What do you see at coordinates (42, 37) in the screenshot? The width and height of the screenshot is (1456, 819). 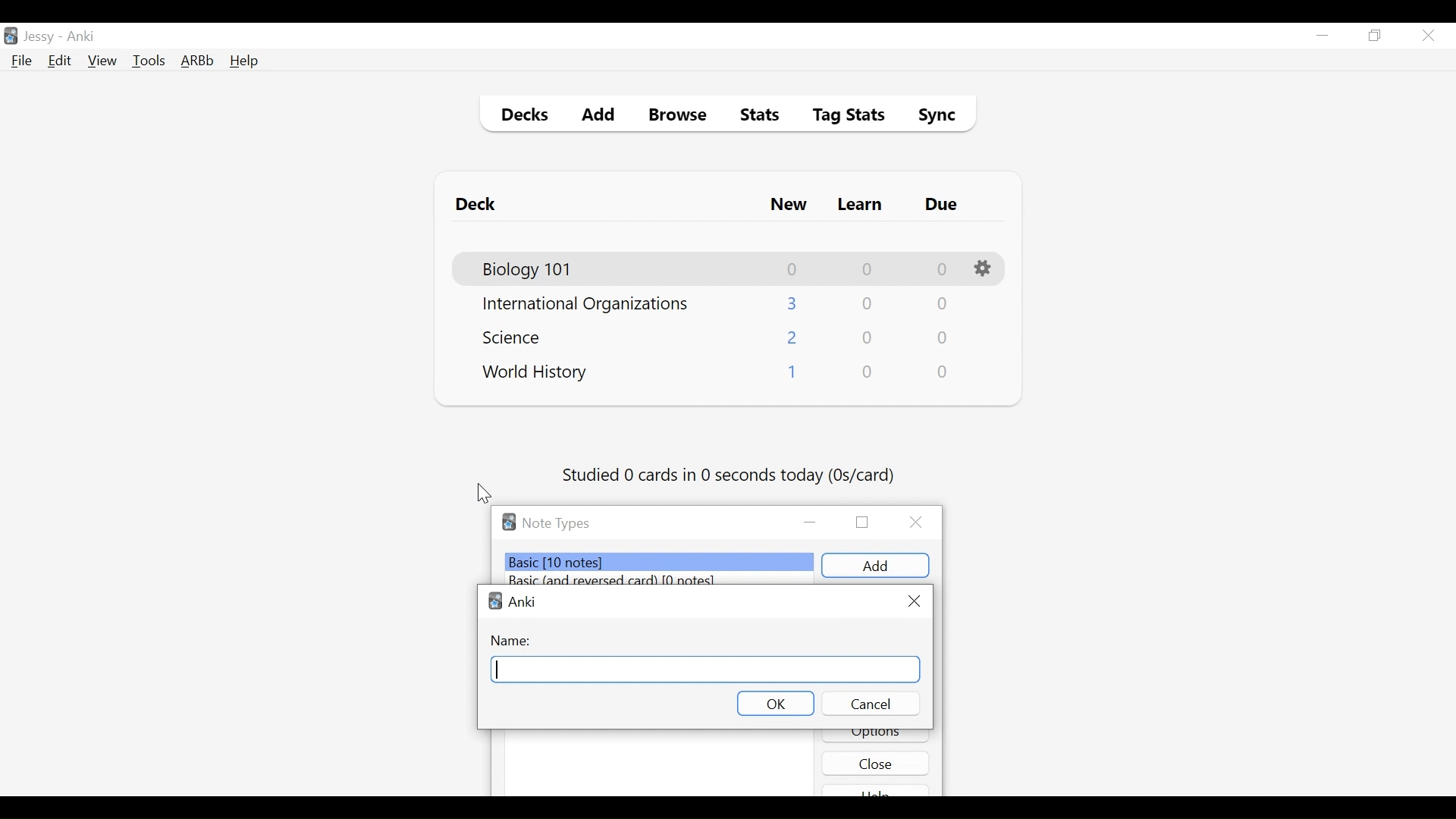 I see `User Nmae` at bounding box center [42, 37].